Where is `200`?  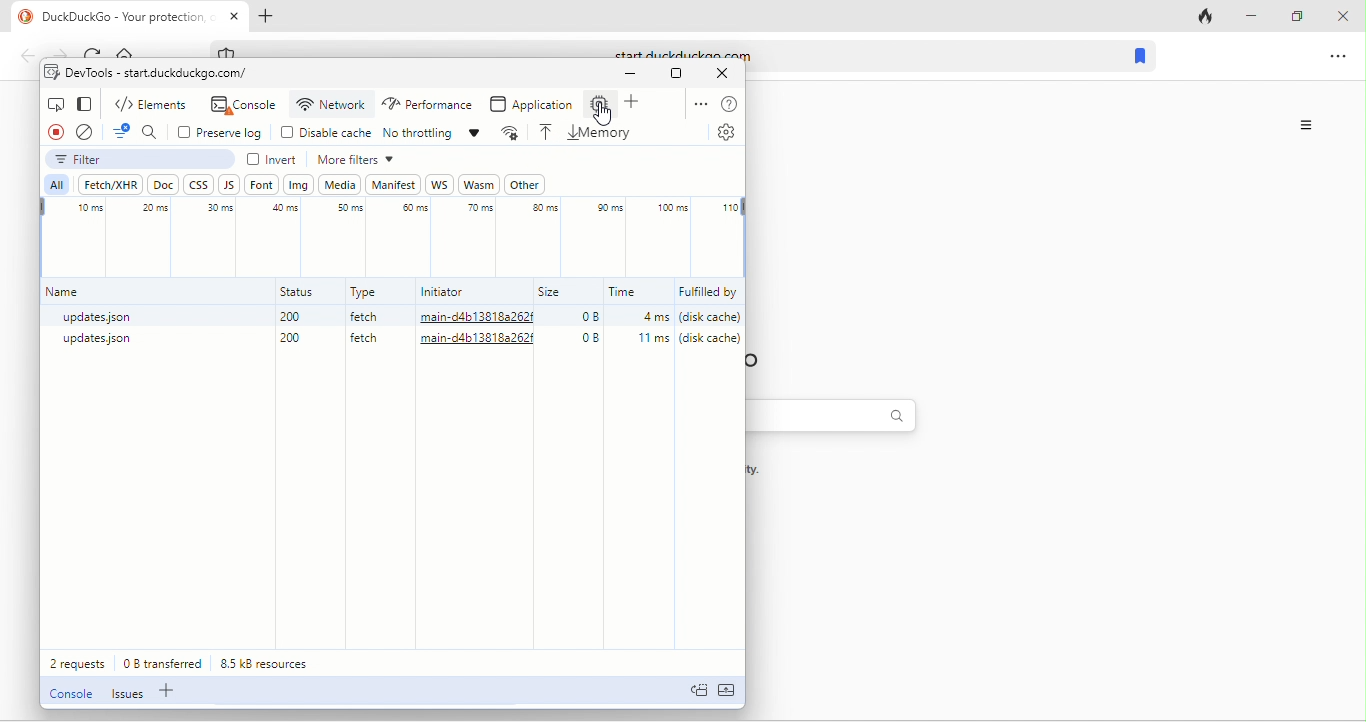
200 is located at coordinates (297, 320).